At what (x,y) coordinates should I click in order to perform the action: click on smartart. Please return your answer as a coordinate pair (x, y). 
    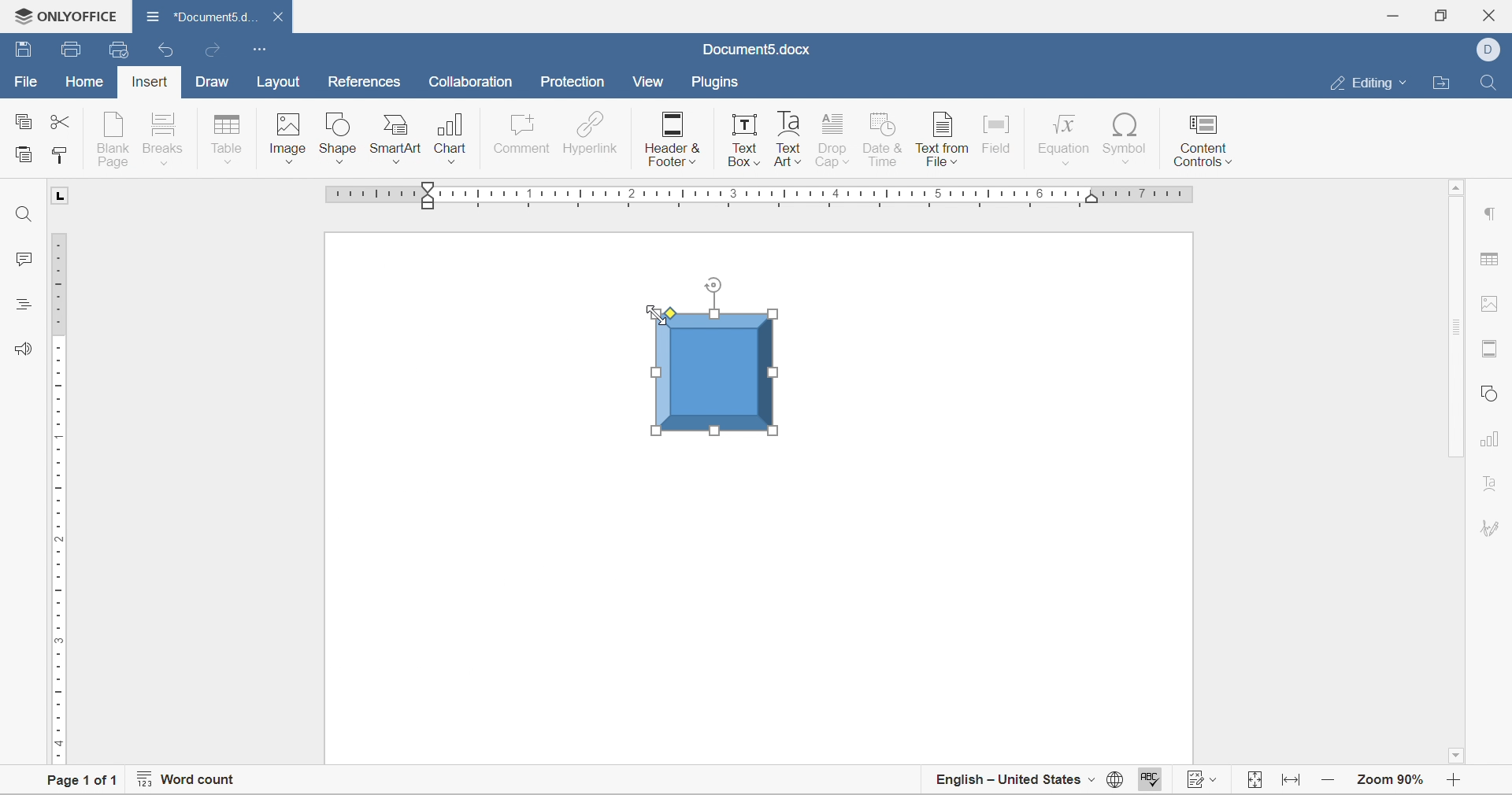
    Looking at the image, I should click on (397, 133).